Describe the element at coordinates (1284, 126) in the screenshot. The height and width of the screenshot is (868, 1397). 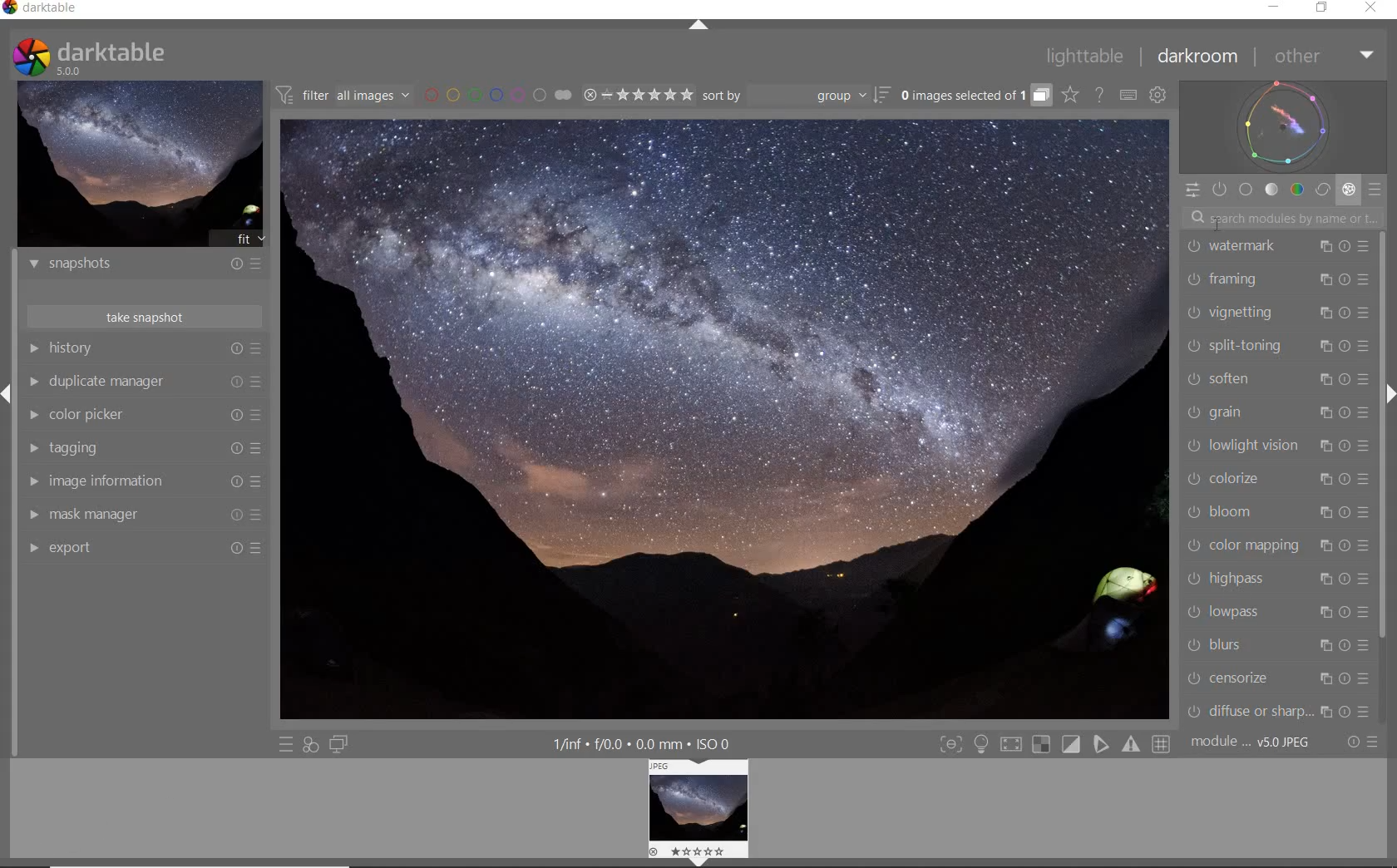
I see `WAVEFORM` at that location.